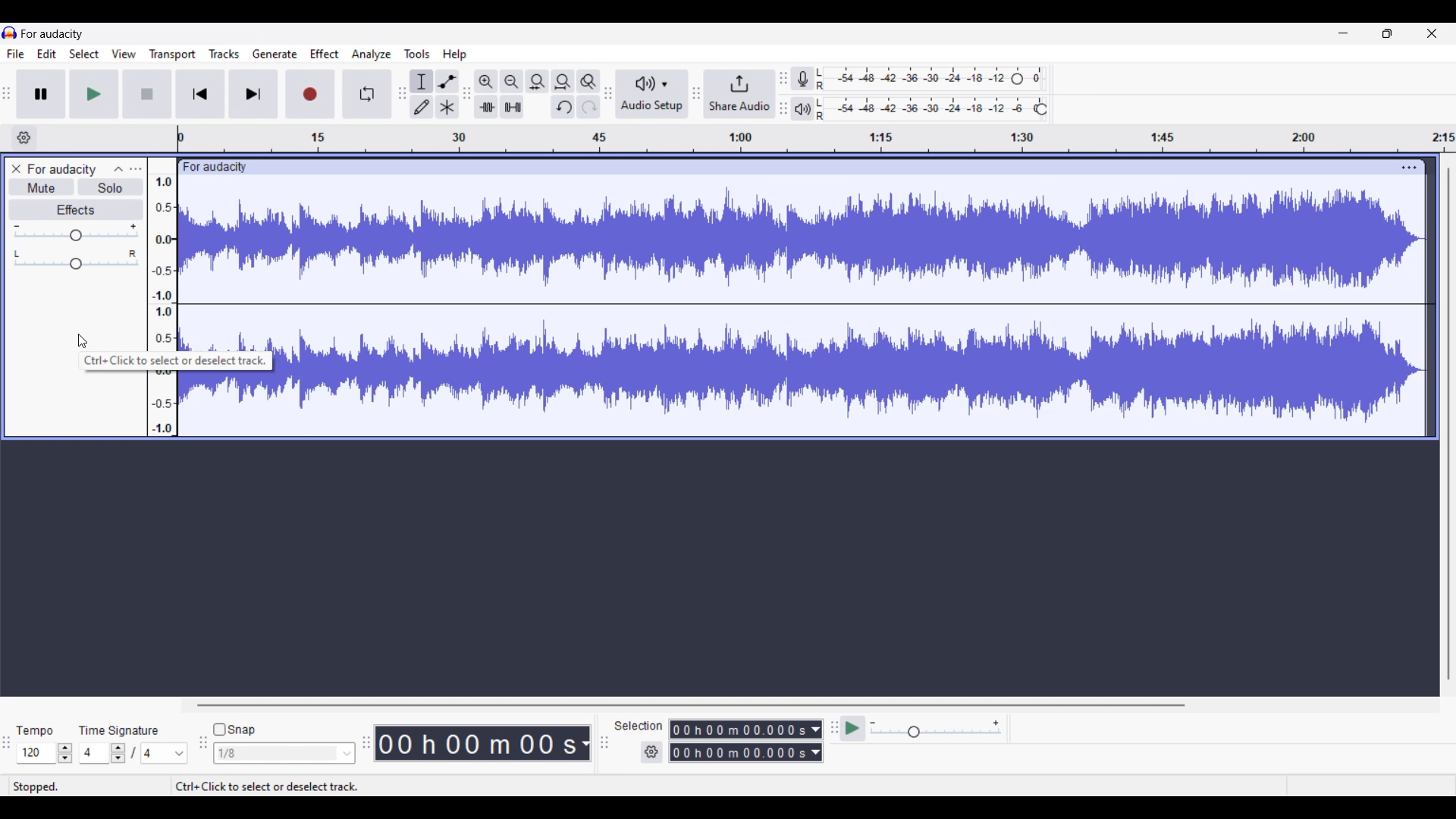 The width and height of the screenshot is (1456, 819). Describe the element at coordinates (47, 54) in the screenshot. I see `Edit menu` at that location.